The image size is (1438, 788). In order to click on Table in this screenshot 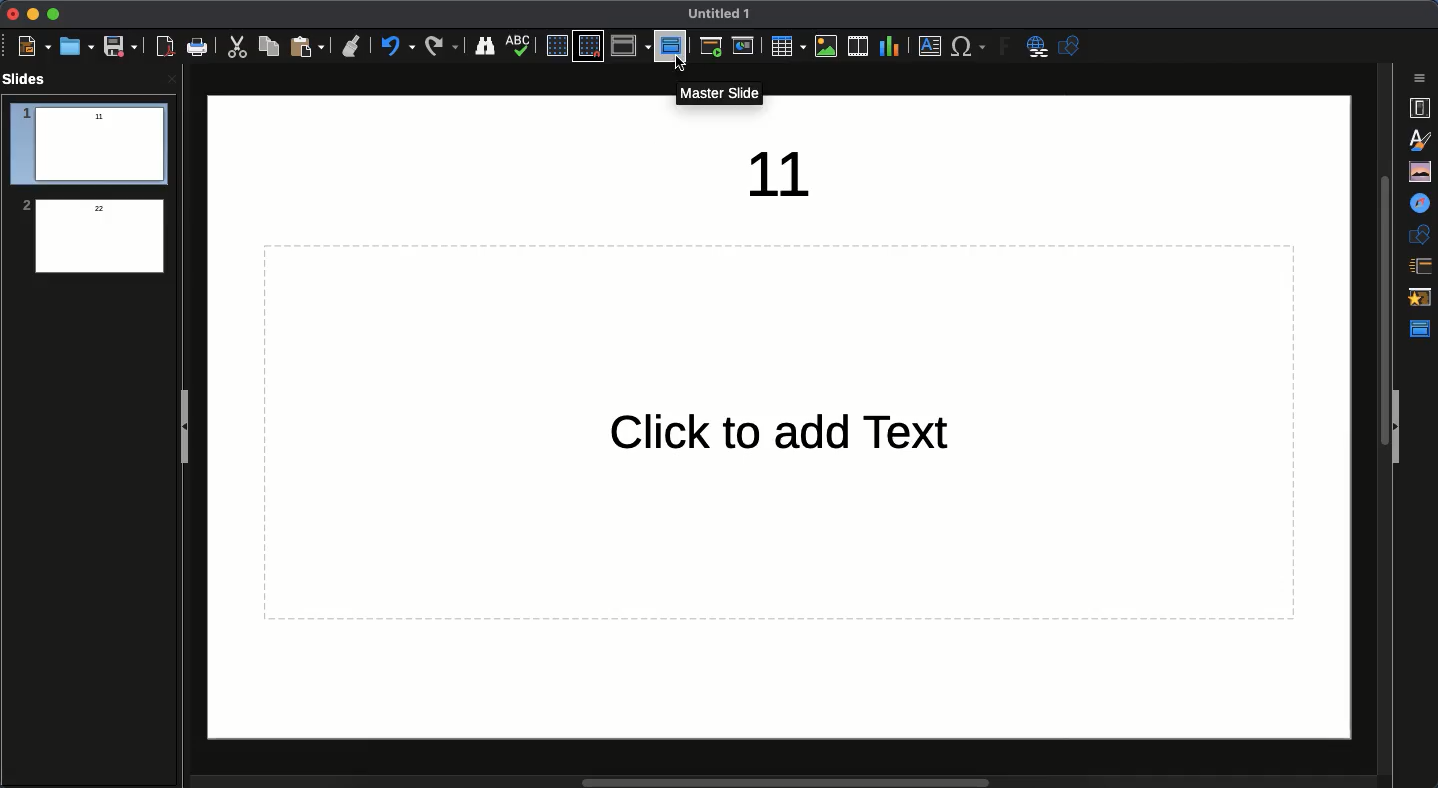, I will do `click(786, 46)`.